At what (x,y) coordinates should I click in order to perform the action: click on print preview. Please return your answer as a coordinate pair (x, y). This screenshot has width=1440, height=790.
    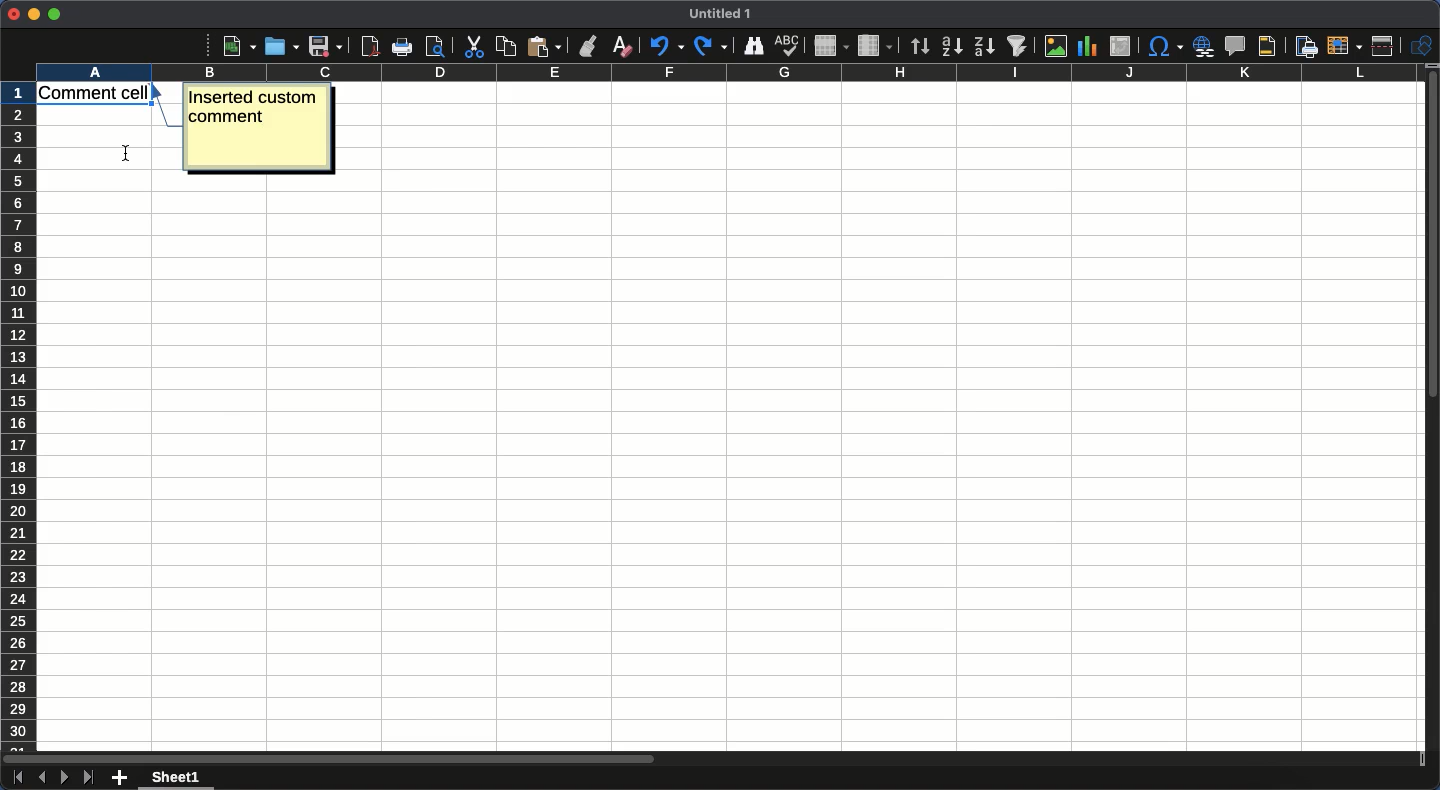
    Looking at the image, I should click on (437, 44).